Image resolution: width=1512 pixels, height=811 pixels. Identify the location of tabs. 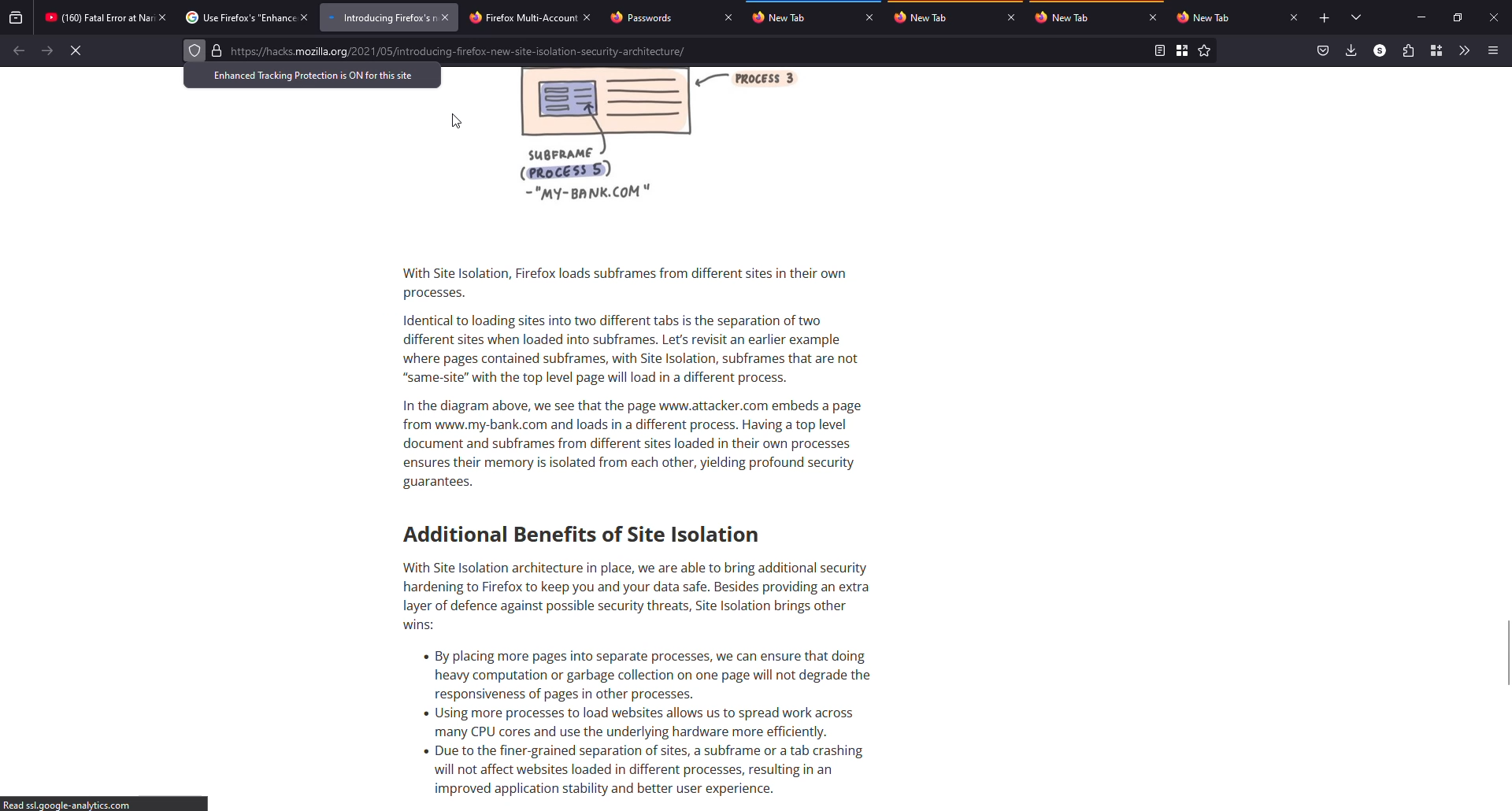
(1358, 18).